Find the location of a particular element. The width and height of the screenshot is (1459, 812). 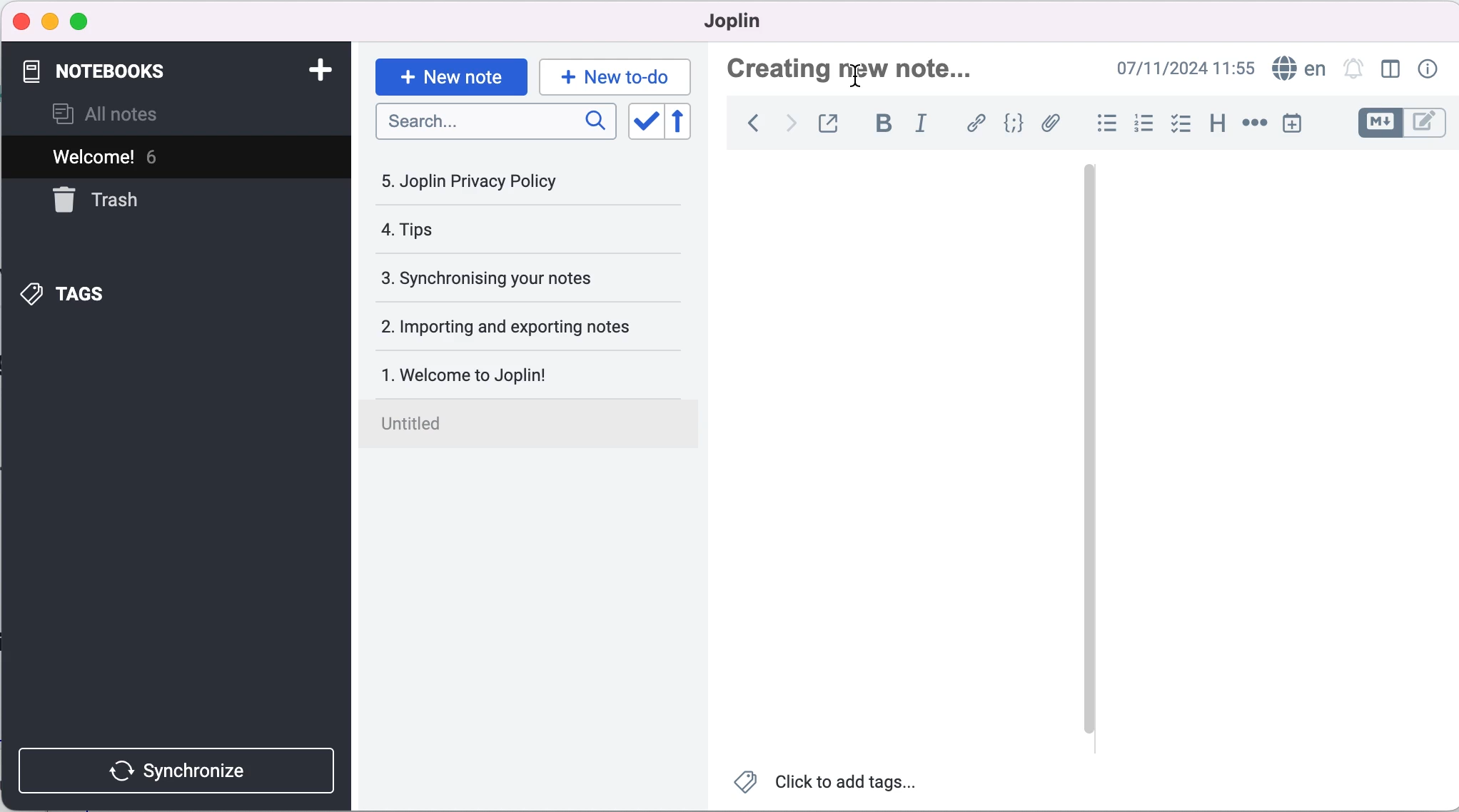

importing and exporting notes is located at coordinates (515, 325).